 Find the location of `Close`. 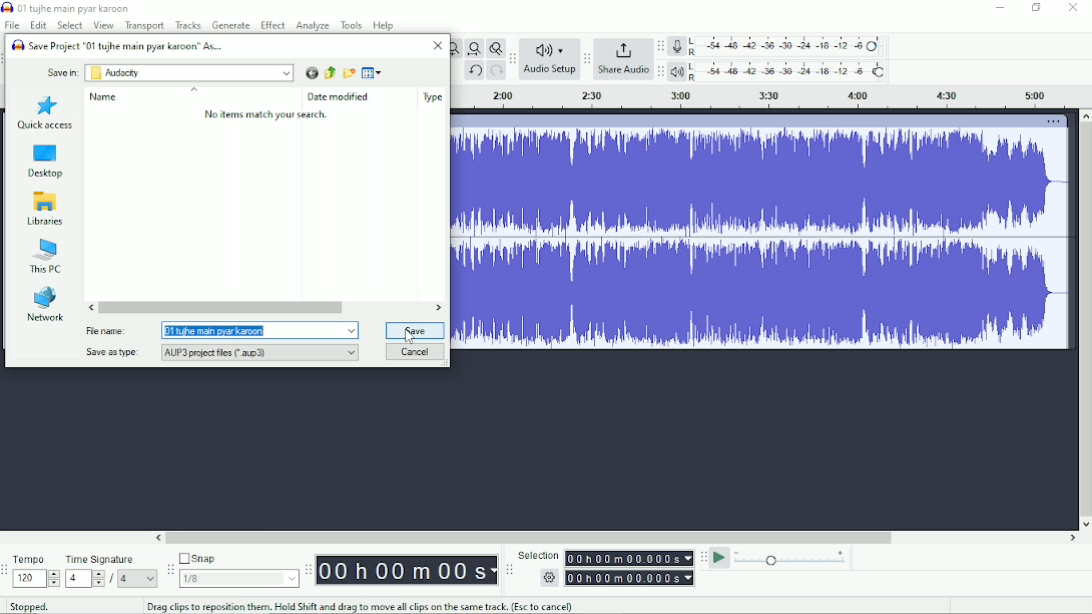

Close is located at coordinates (1073, 9).